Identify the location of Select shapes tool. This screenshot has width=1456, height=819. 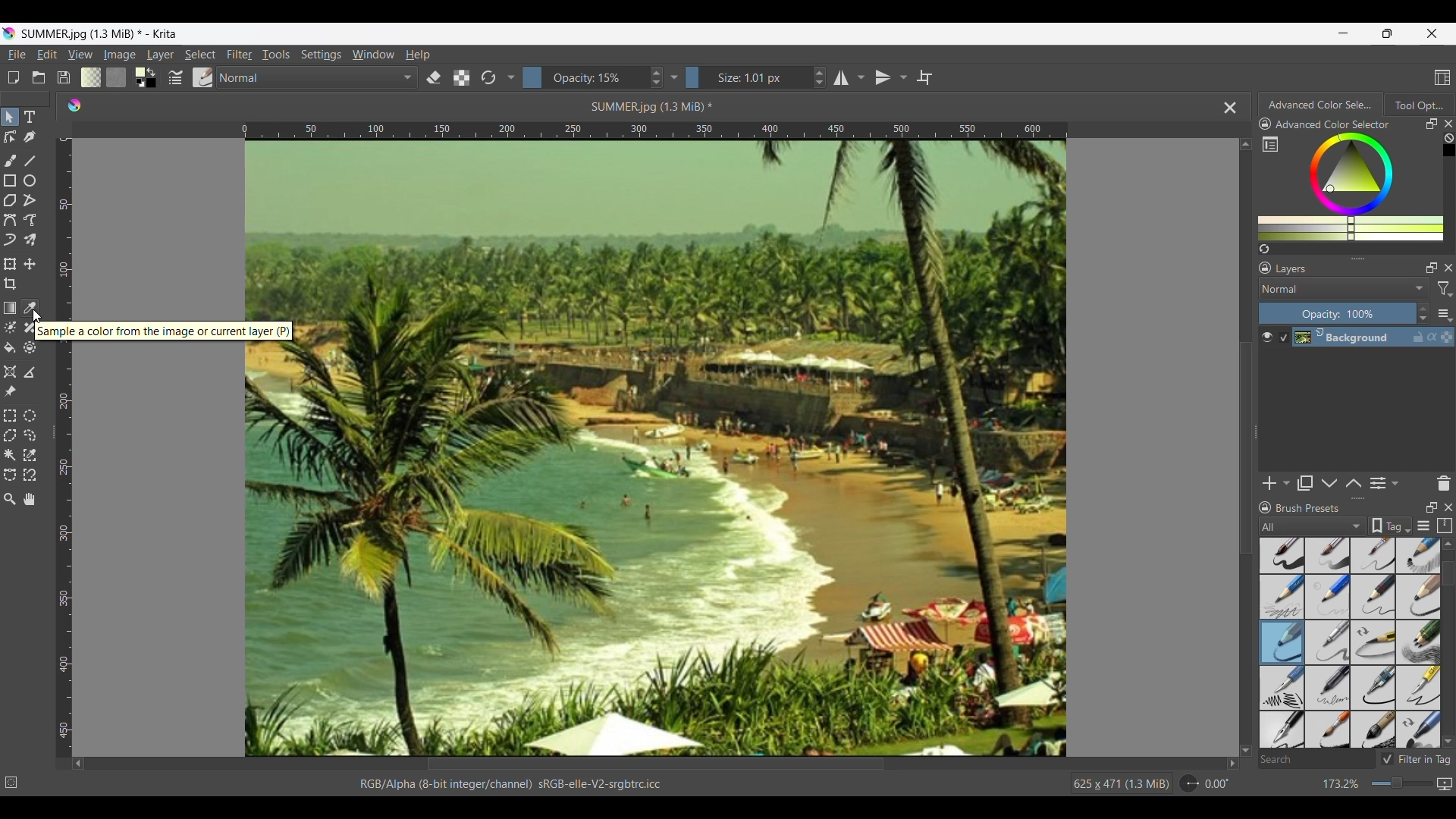
(10, 117).